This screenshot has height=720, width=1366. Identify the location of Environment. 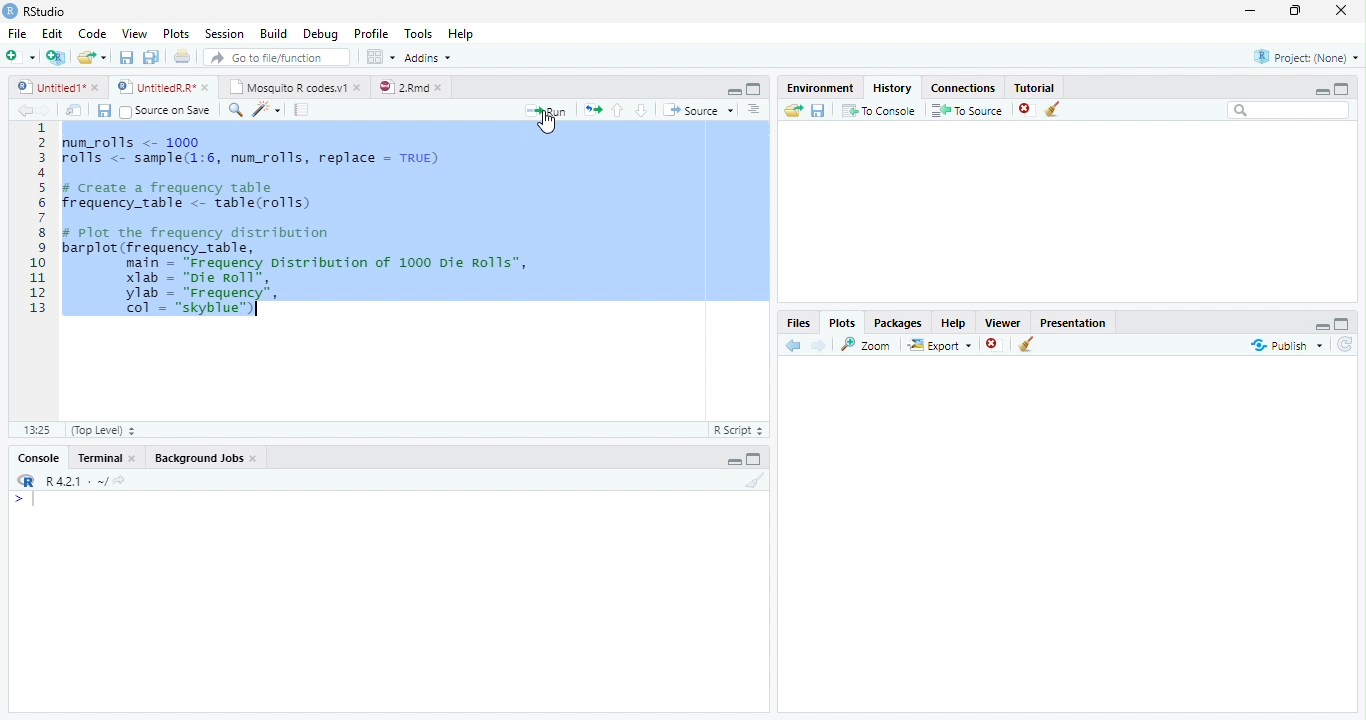
(821, 87).